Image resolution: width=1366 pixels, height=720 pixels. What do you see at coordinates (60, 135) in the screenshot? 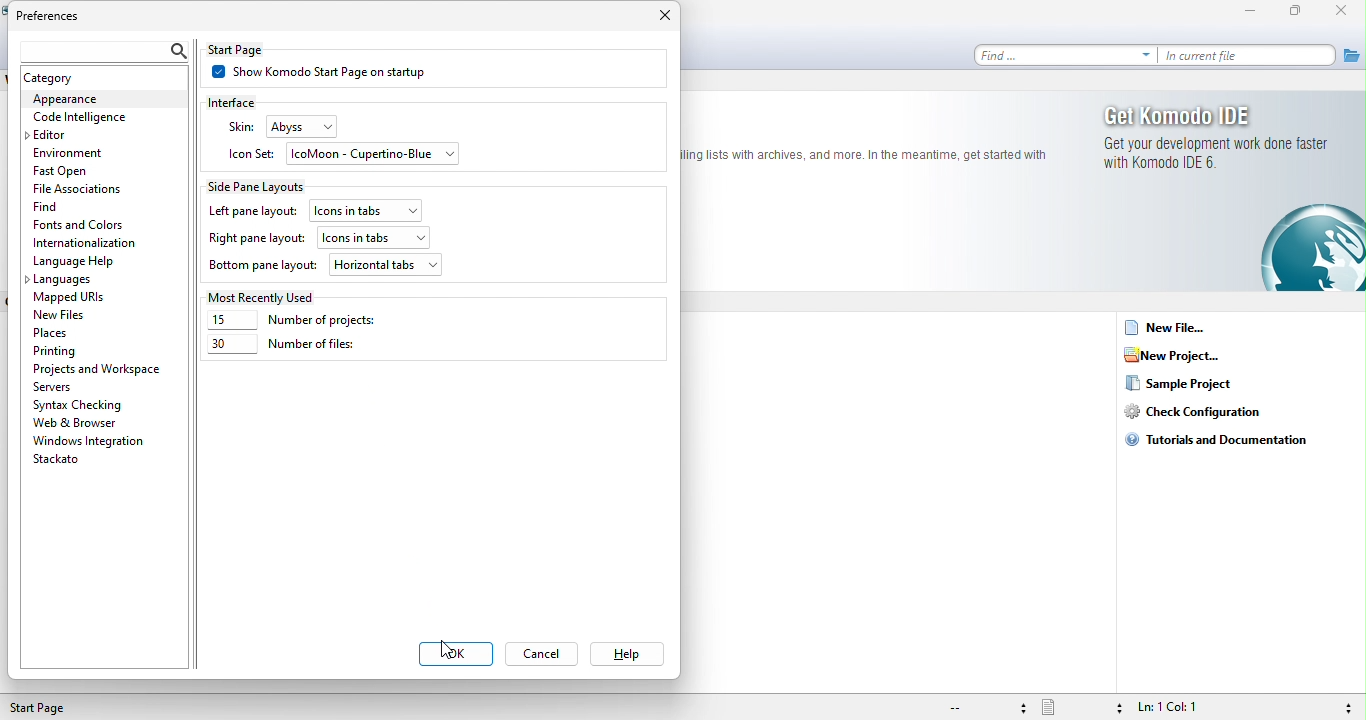
I see `editor` at bounding box center [60, 135].